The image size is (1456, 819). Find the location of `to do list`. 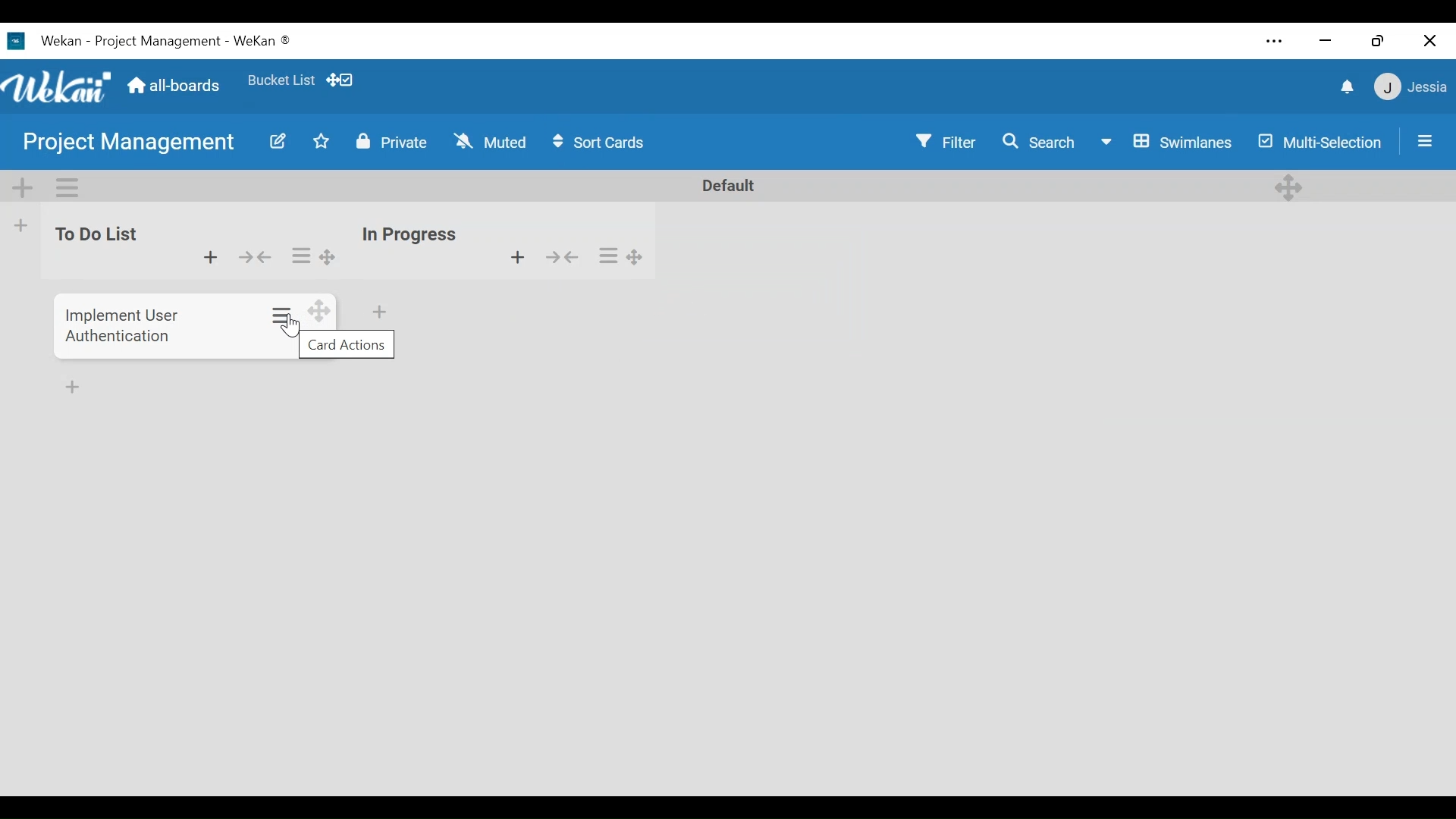

to do list is located at coordinates (97, 243).